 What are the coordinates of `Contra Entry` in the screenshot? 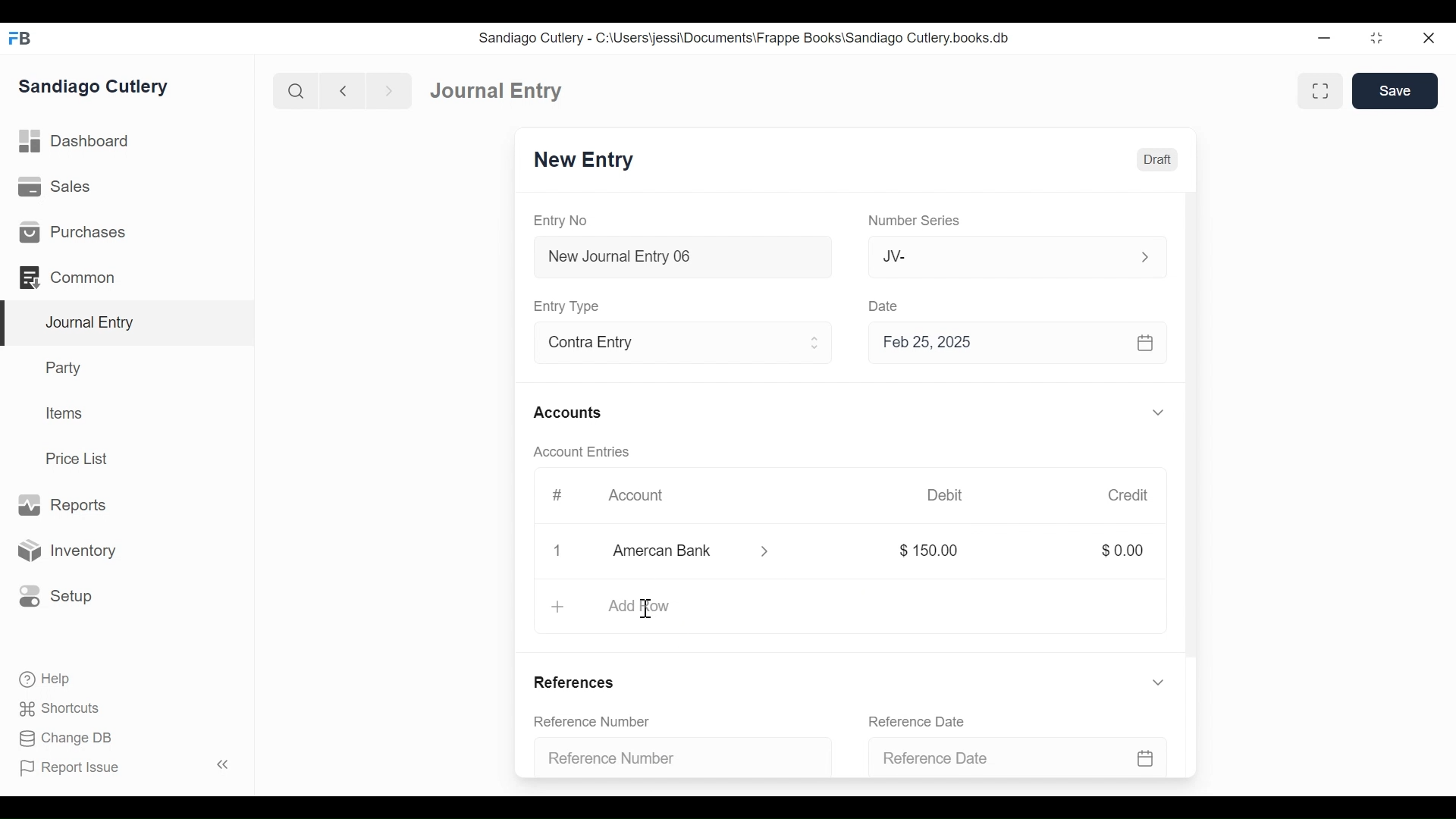 It's located at (658, 344).